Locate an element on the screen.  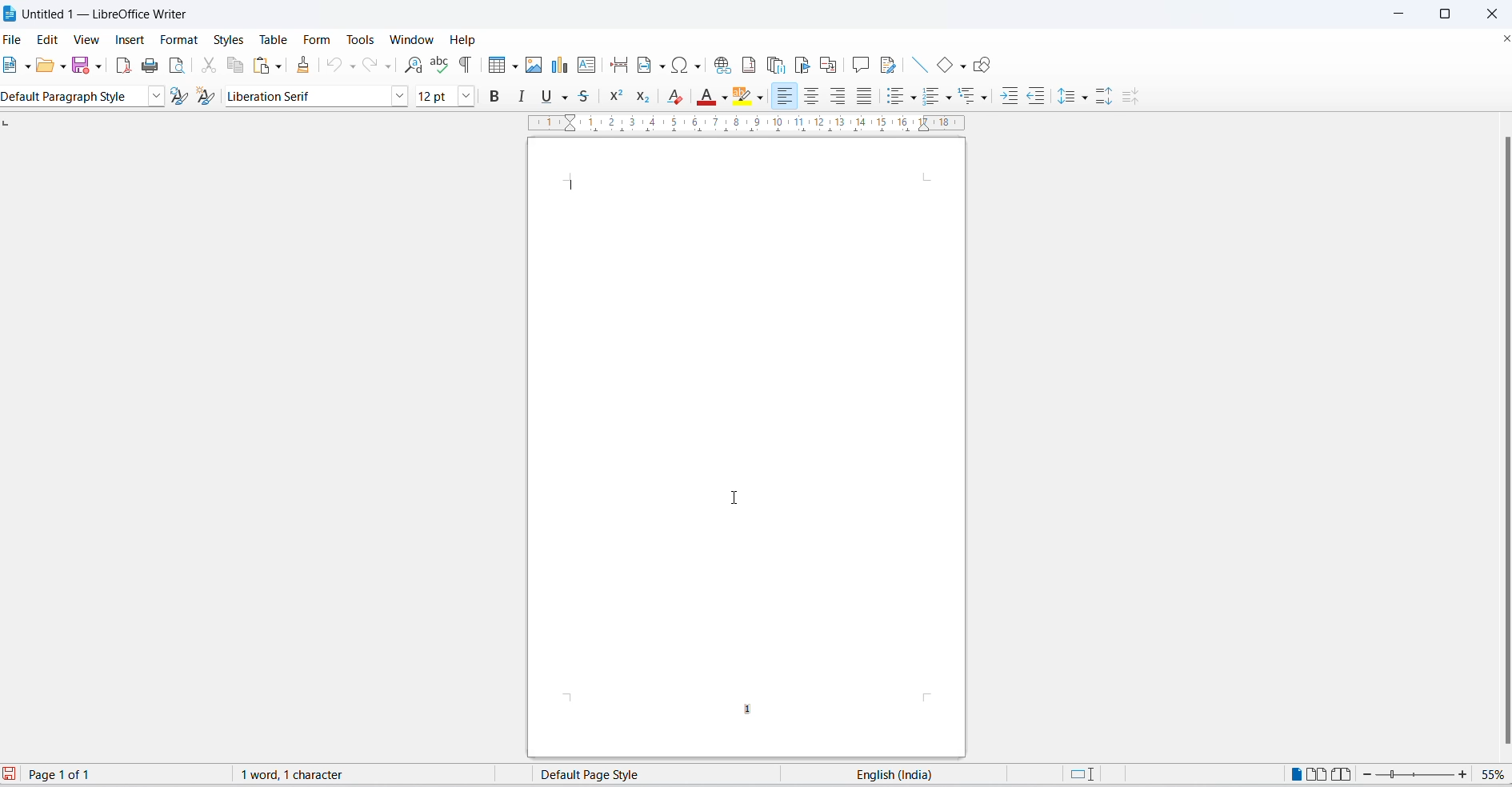
increase paragraph spacing is located at coordinates (1106, 98).